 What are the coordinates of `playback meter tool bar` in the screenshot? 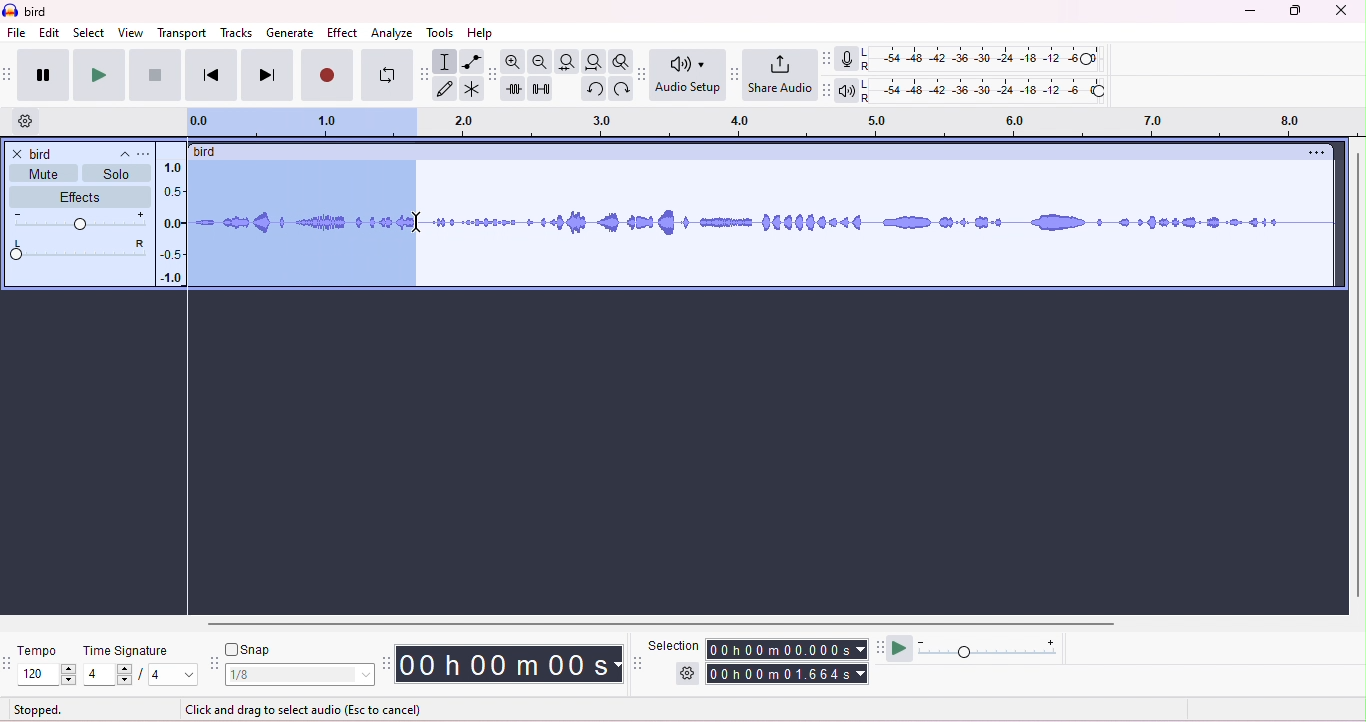 It's located at (830, 90).